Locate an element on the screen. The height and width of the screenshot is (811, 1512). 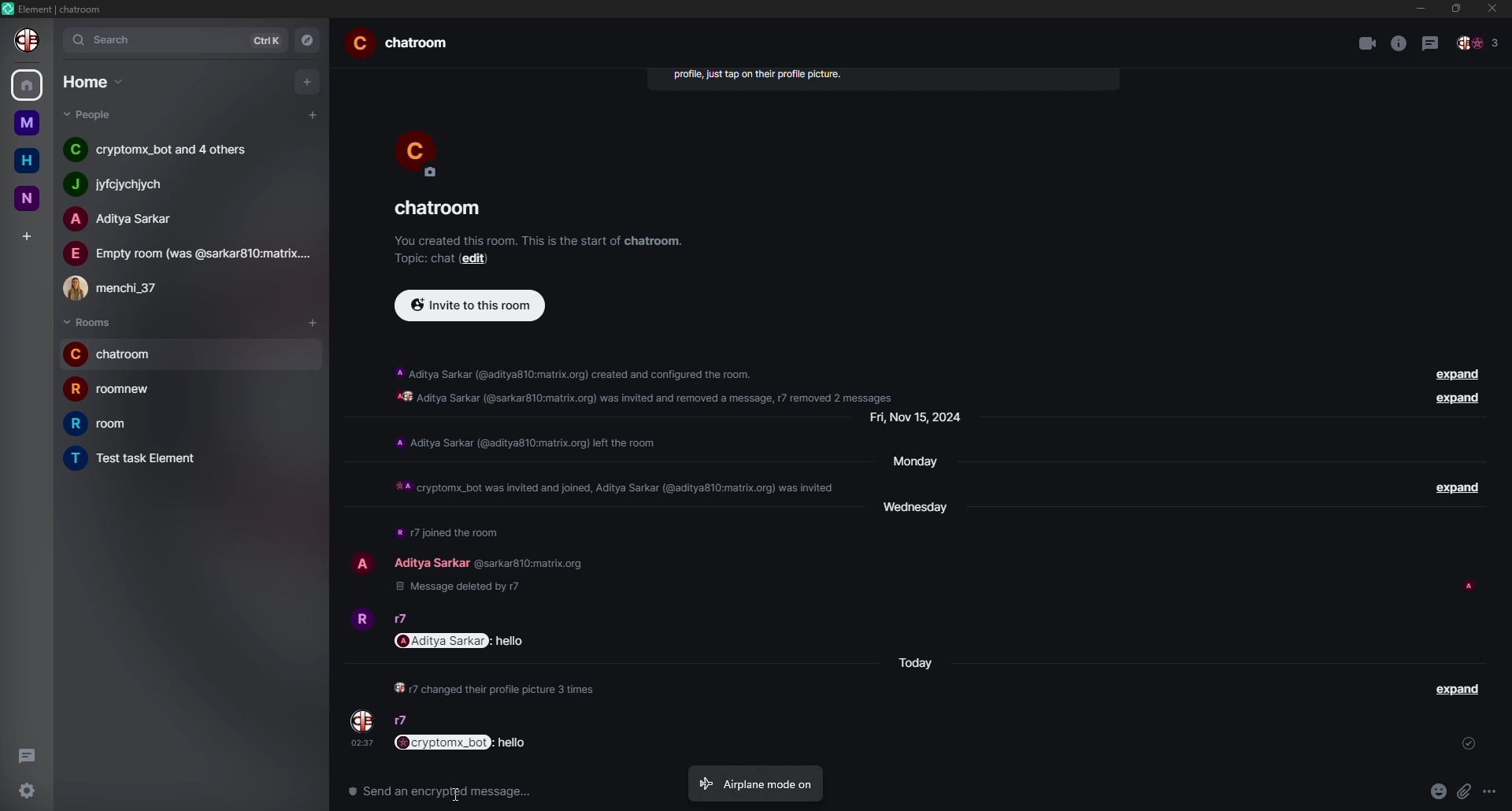
min is located at coordinates (1418, 9).